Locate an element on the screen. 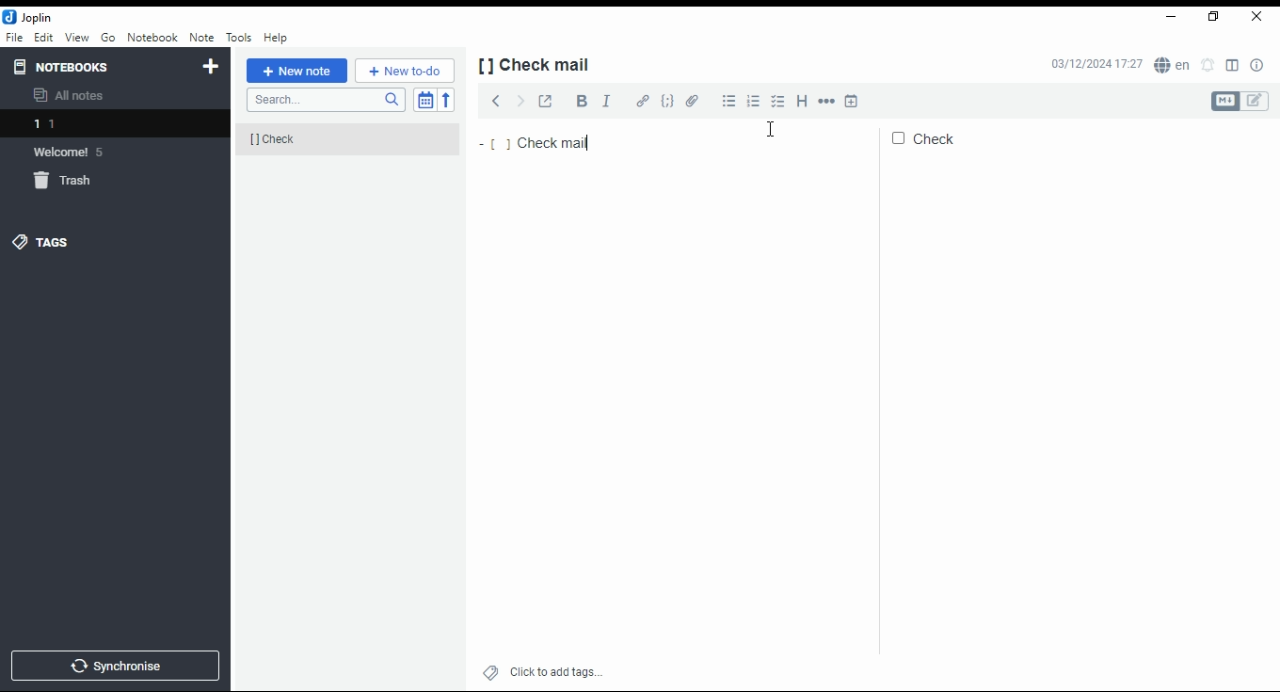 The height and width of the screenshot is (692, 1280). checkbox list is located at coordinates (776, 100).